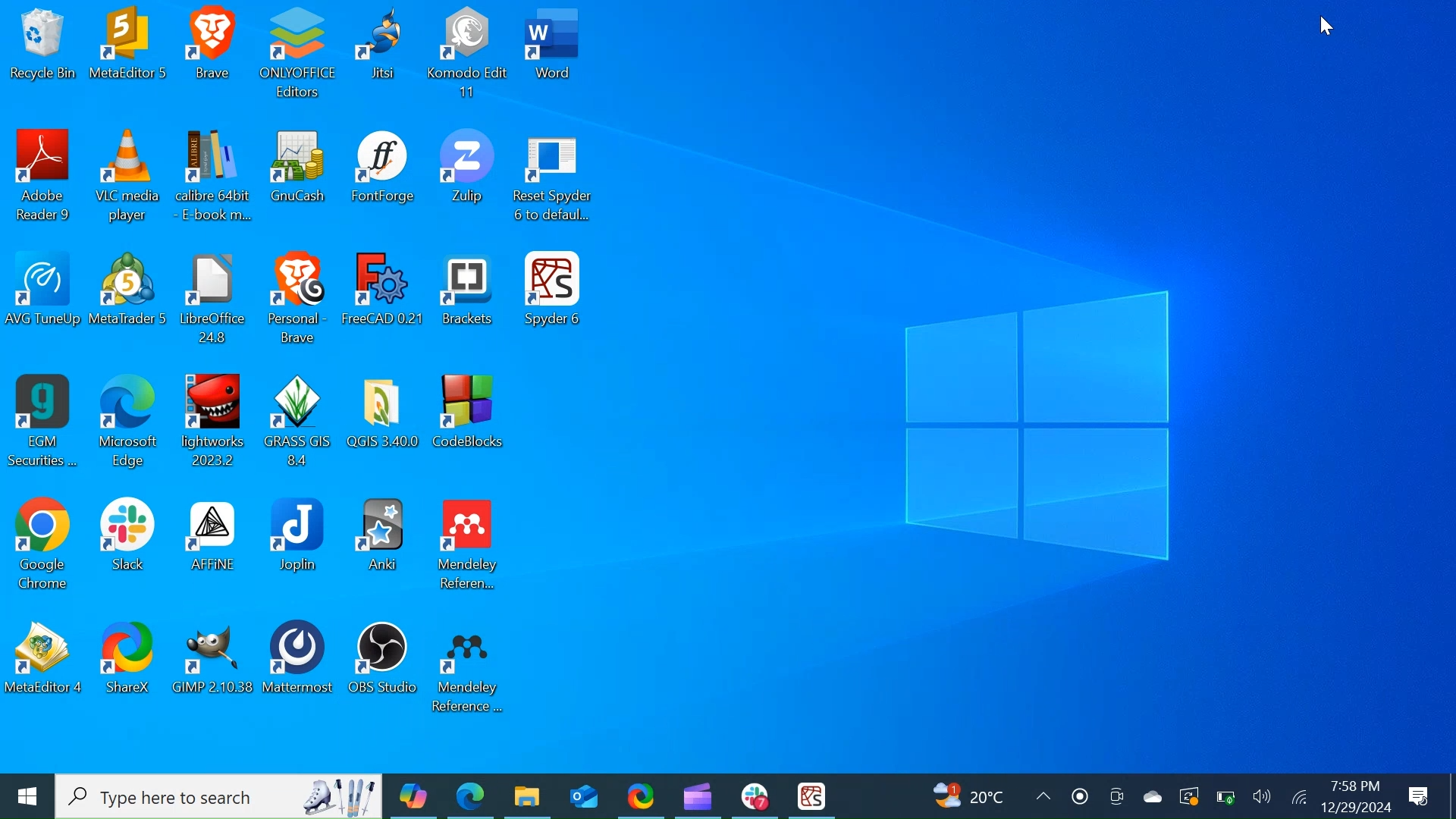 This screenshot has height=819, width=1456. What do you see at coordinates (812, 795) in the screenshot?
I see `Spyder Desktop icon` at bounding box center [812, 795].